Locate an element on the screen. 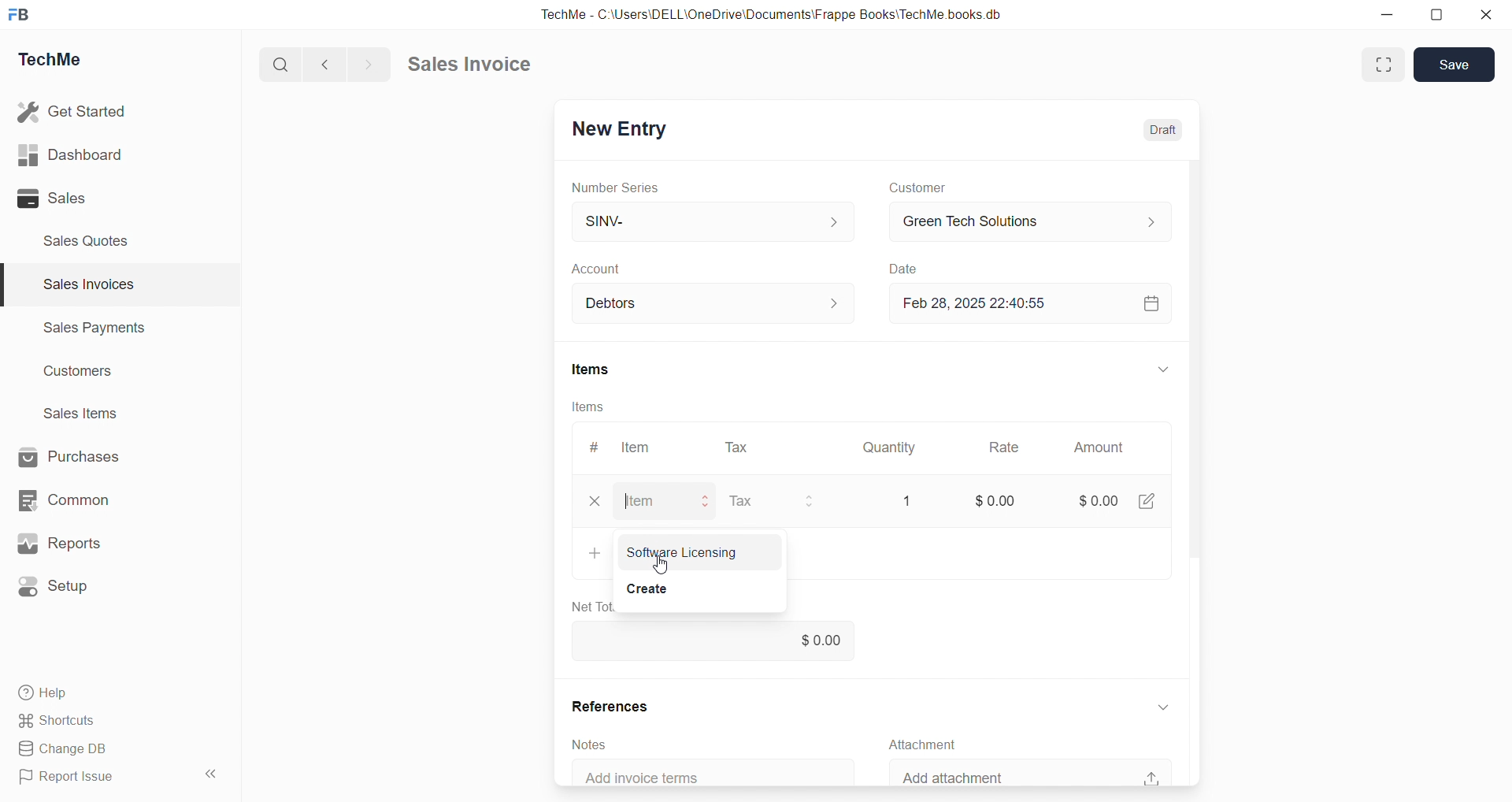  close is located at coordinates (1487, 14).